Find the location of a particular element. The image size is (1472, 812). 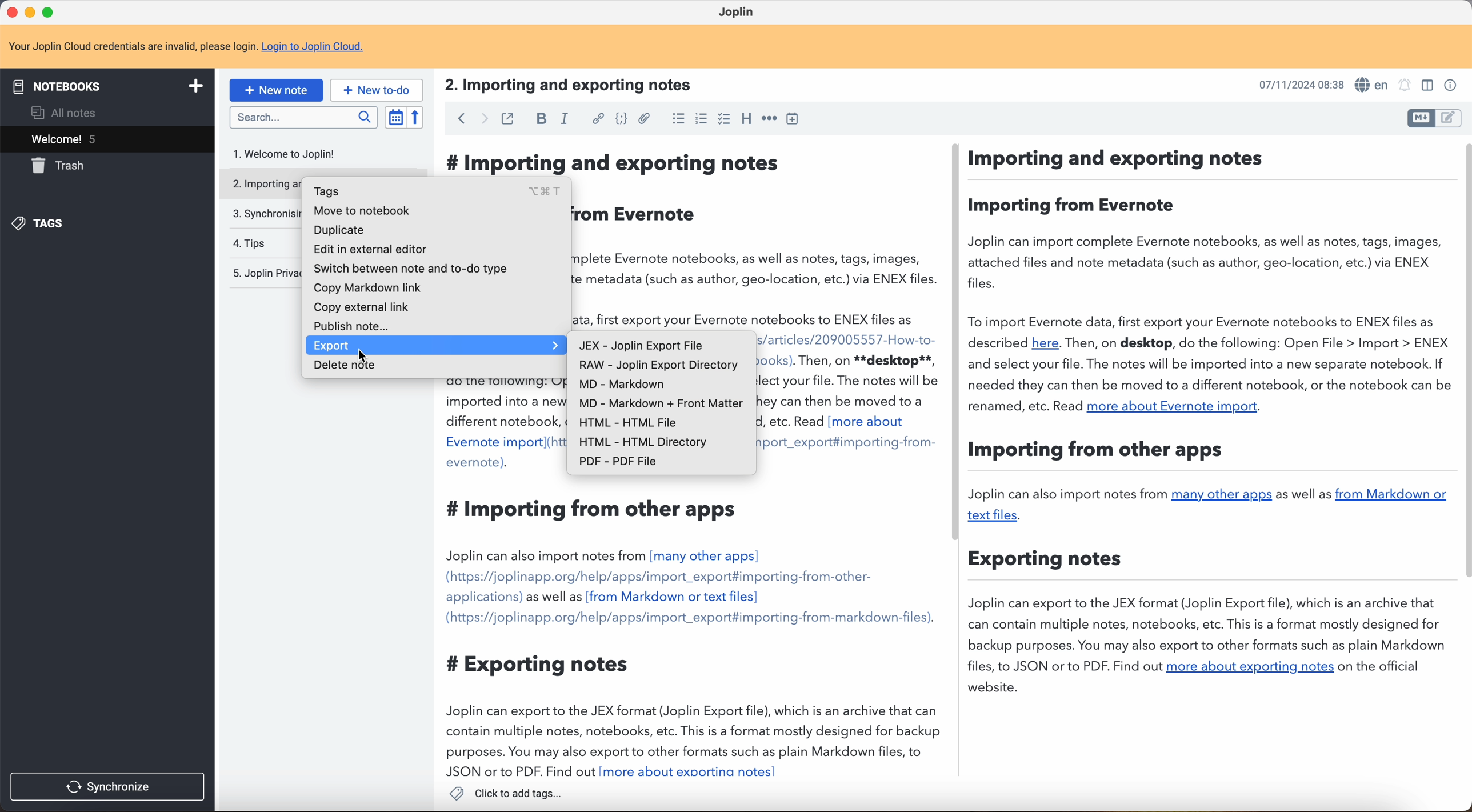

importing and exporting notes:  Joplin can important complete Evernote notebooks, as well as notes, tags, images, attached files and note metadata (such as as author, geo-location, etc) vía ENEX files. To import Evernote data, first export your Evernote notebooks to ENEX files aside described (here)… is located at coordinates (499, 580).